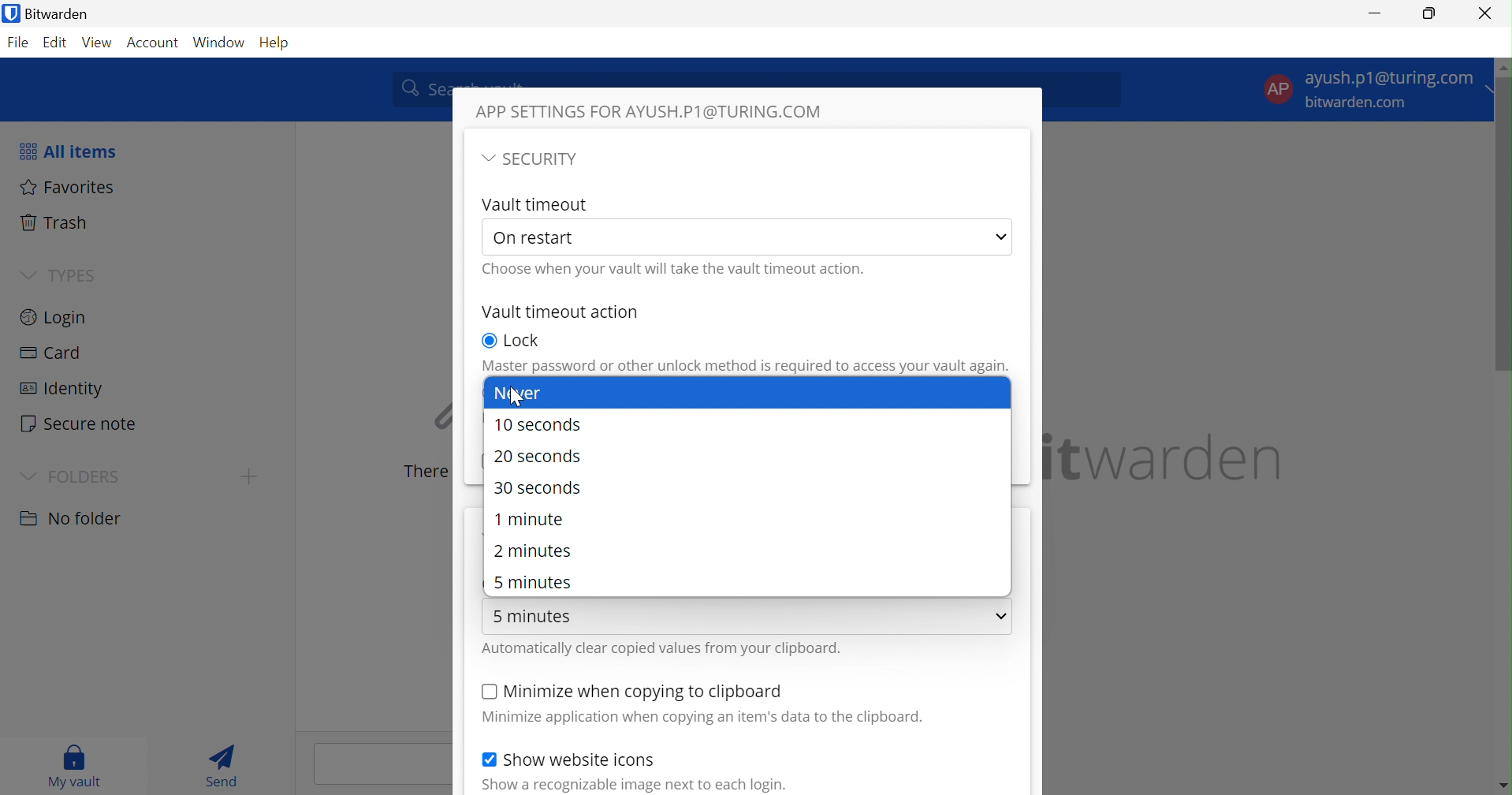  Describe the element at coordinates (68, 388) in the screenshot. I see `Identity` at that location.